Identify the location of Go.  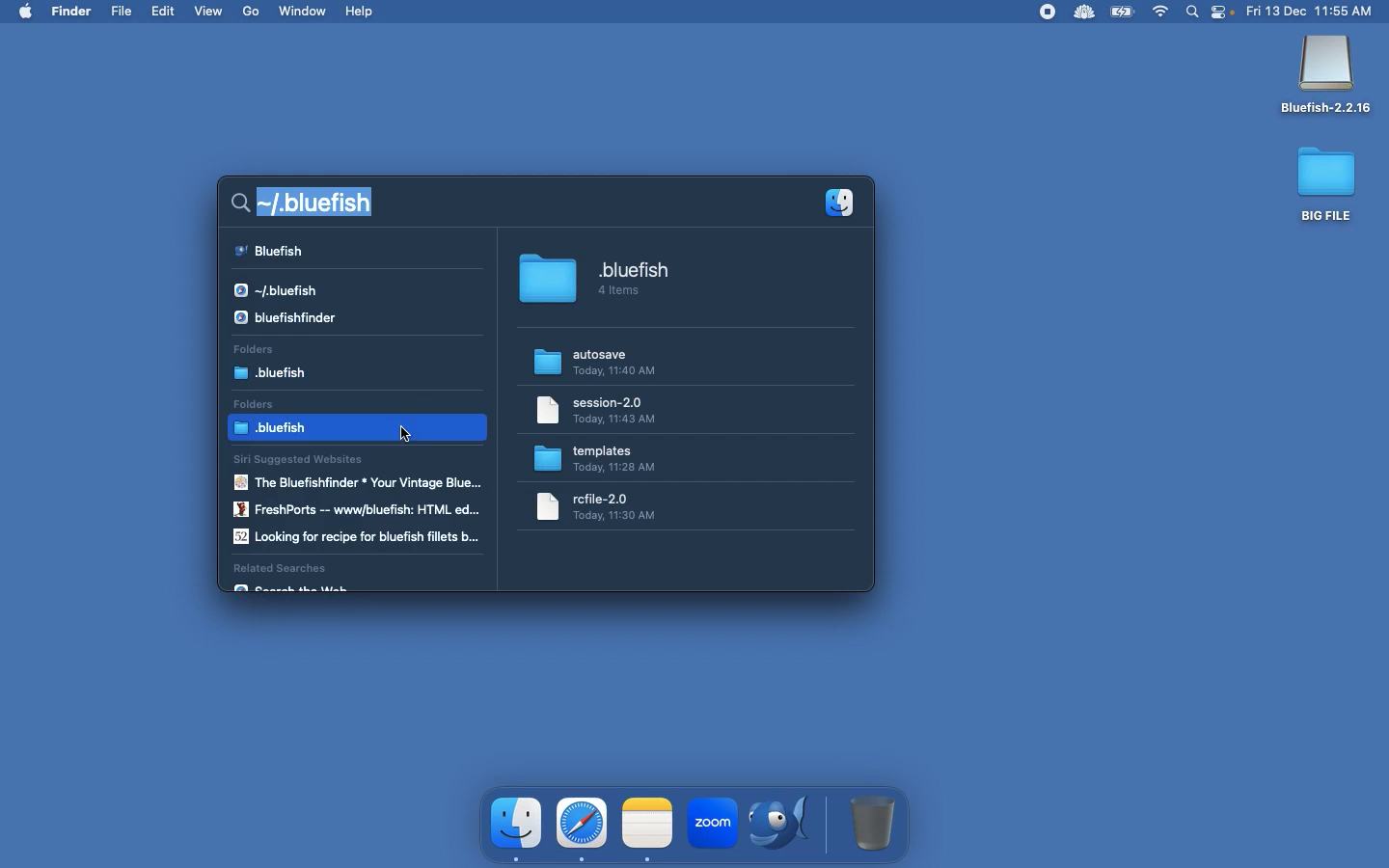
(253, 12).